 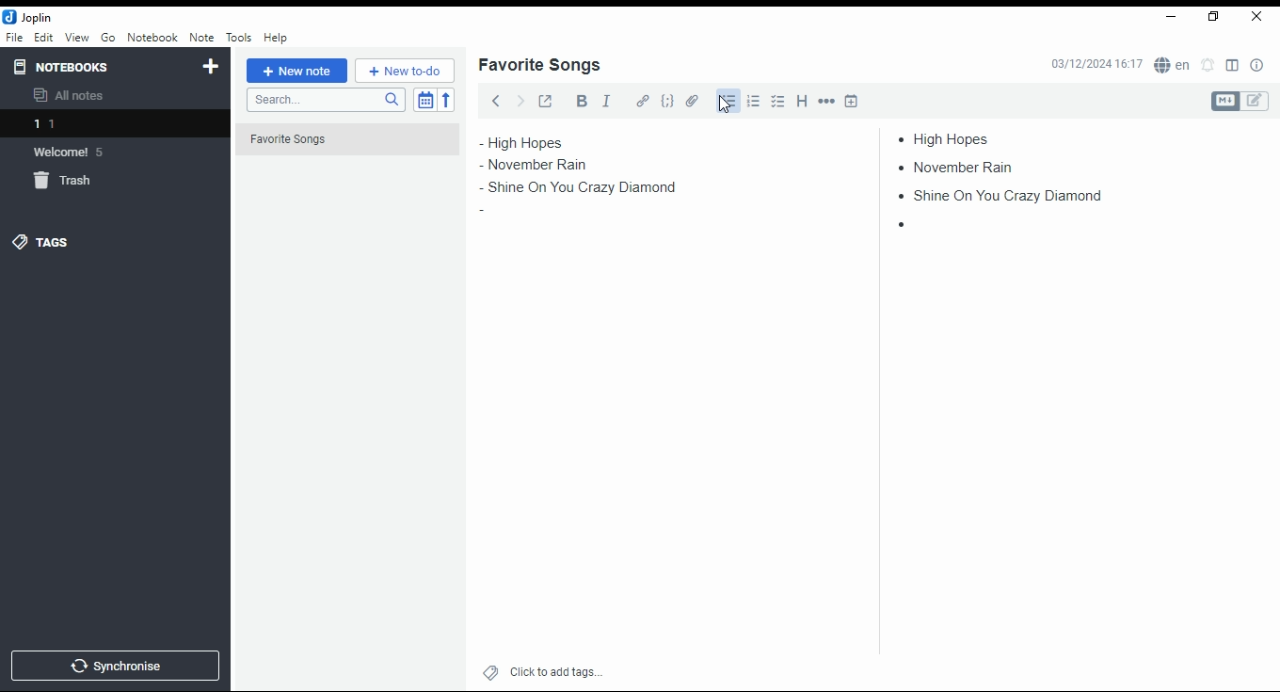 I want to click on edit, so click(x=43, y=36).